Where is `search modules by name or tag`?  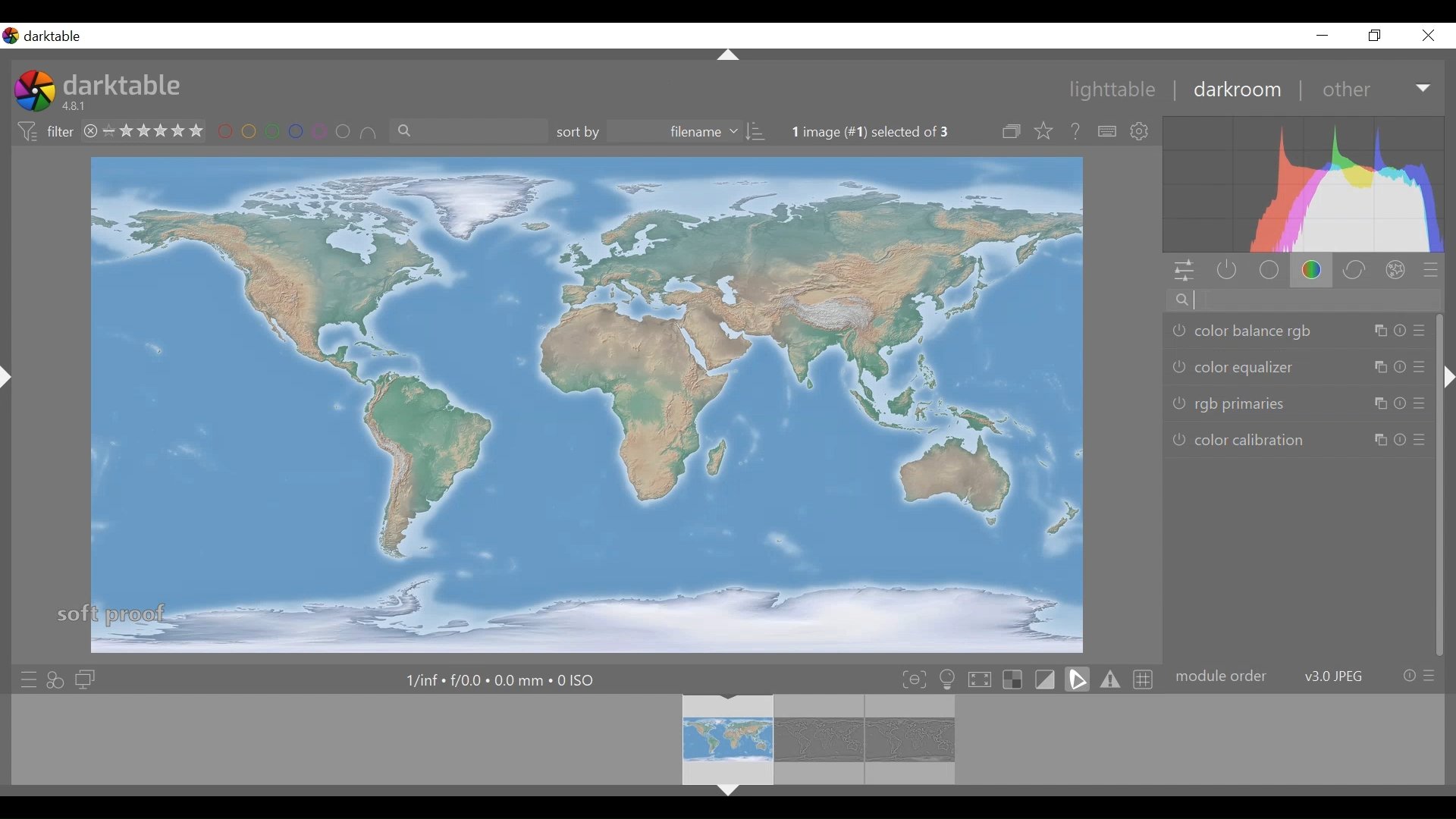
search modules by name or tag is located at coordinates (1295, 301).